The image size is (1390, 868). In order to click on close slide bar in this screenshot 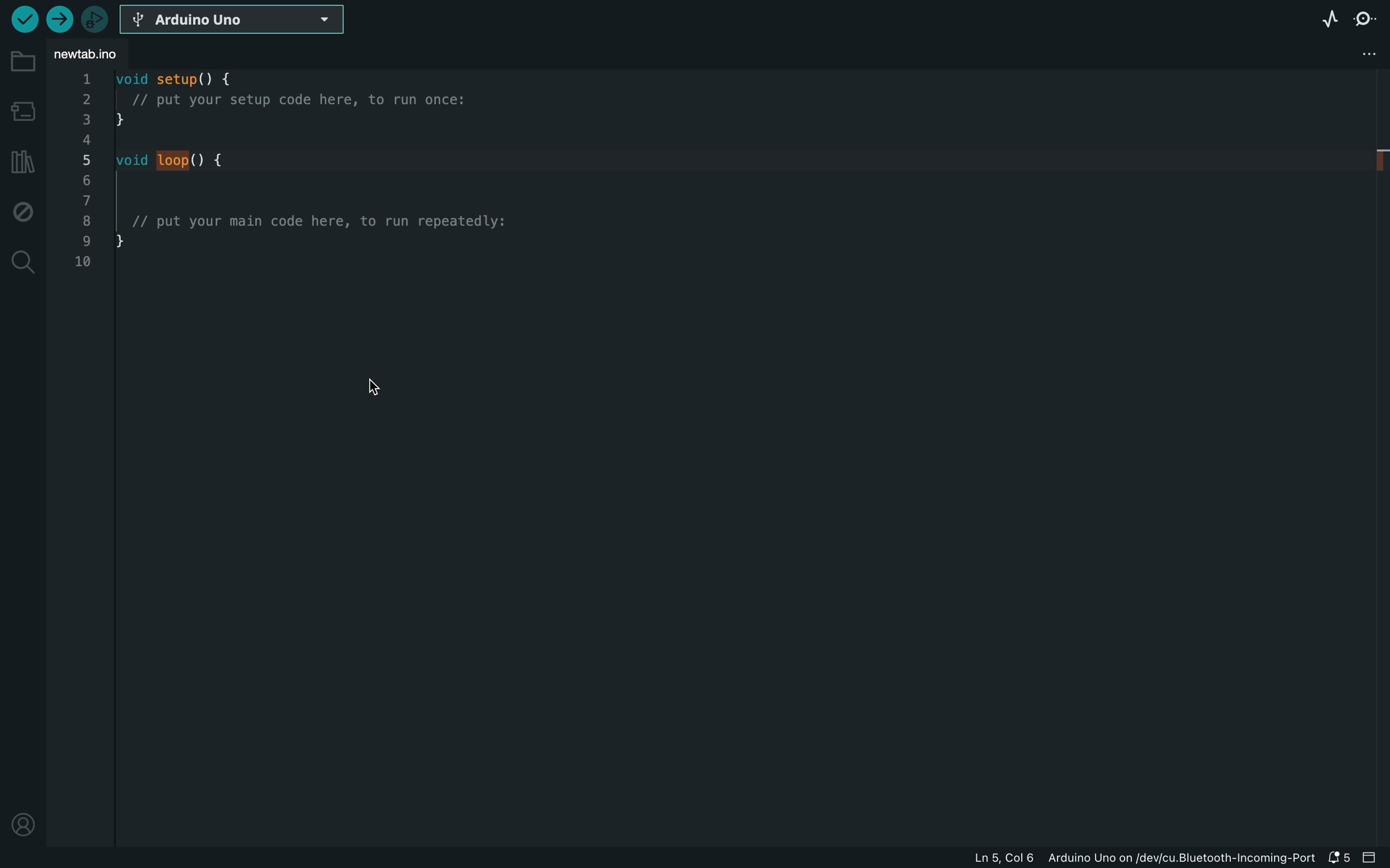, I will do `click(1372, 858)`.